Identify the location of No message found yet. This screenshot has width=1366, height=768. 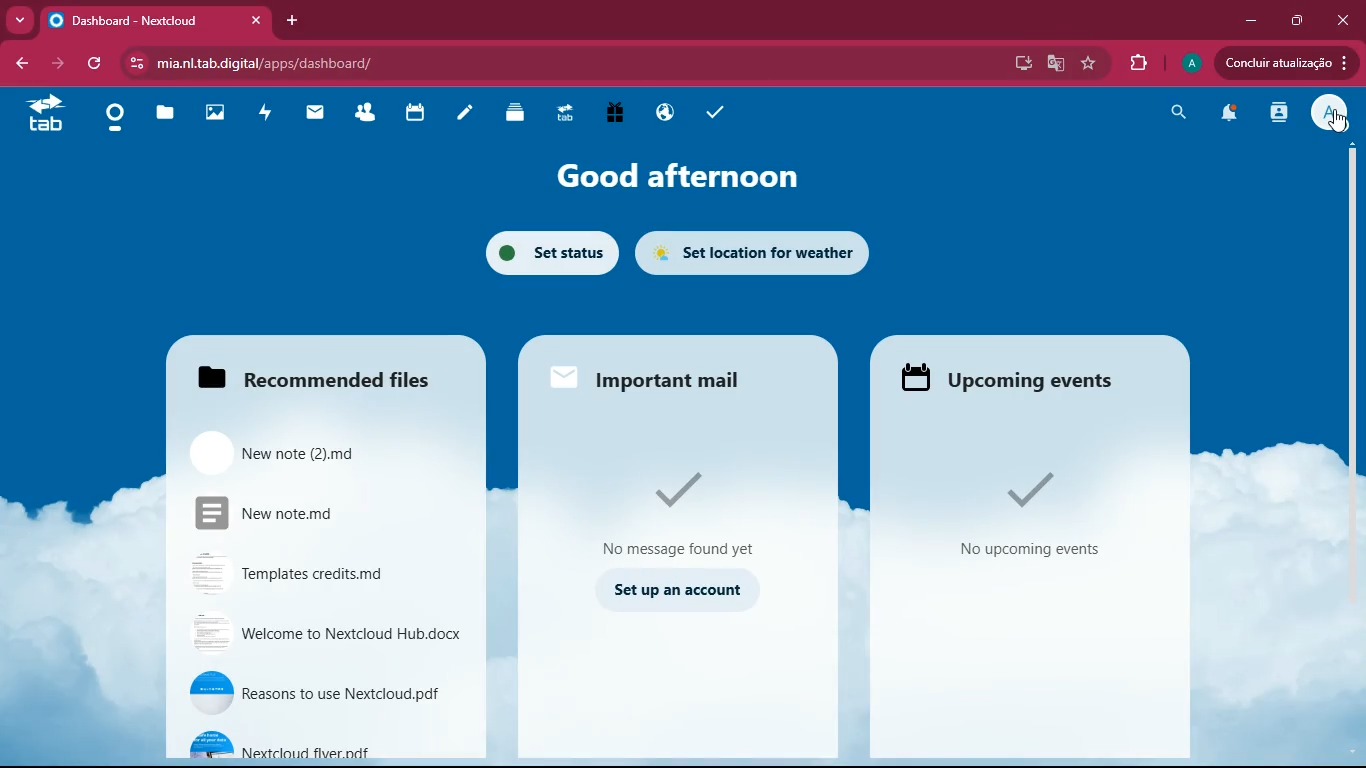
(676, 497).